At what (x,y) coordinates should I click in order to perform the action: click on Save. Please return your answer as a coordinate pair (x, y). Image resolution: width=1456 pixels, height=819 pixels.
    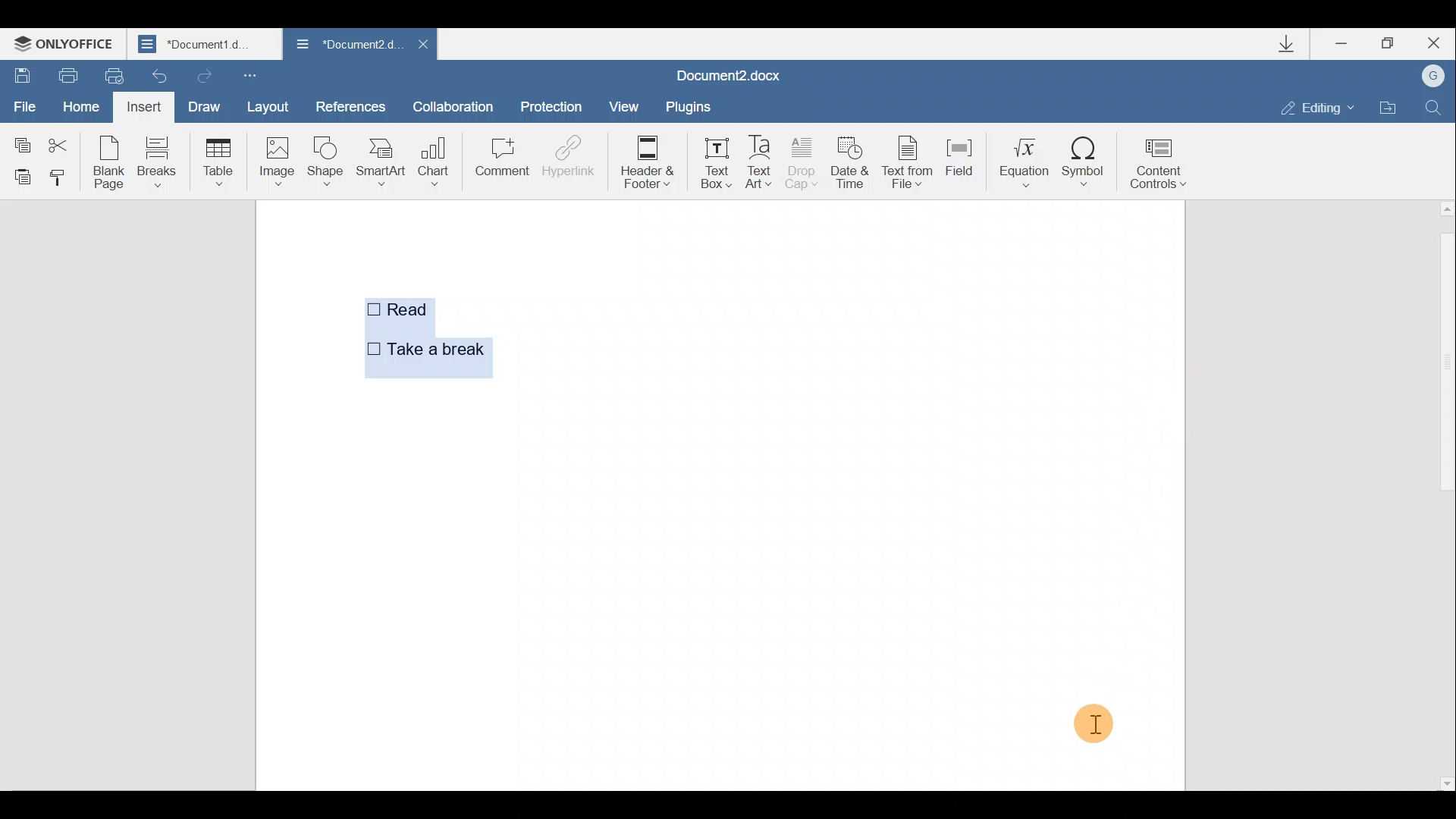
    Looking at the image, I should click on (21, 71).